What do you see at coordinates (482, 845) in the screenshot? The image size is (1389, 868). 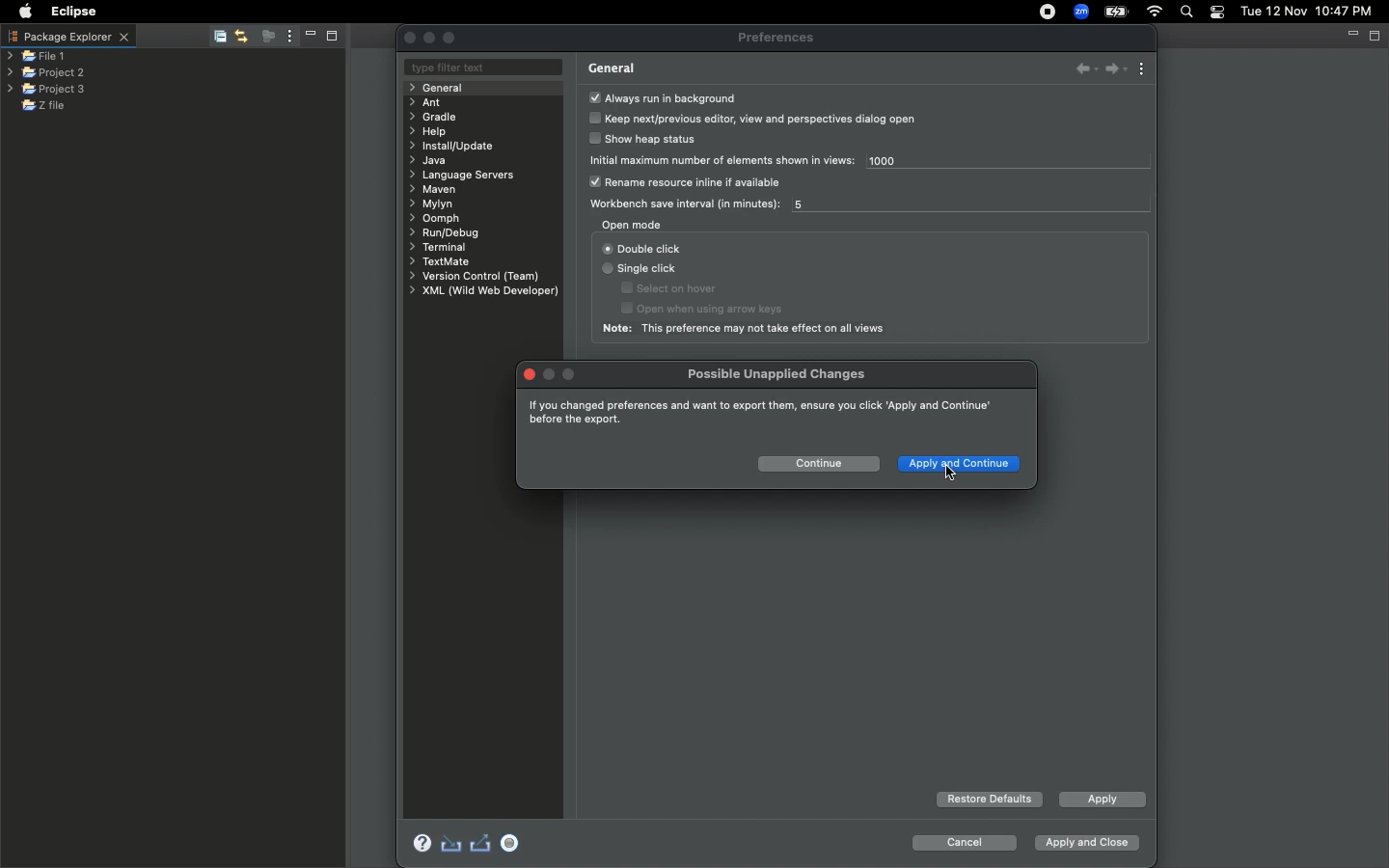 I see `Export` at bounding box center [482, 845].